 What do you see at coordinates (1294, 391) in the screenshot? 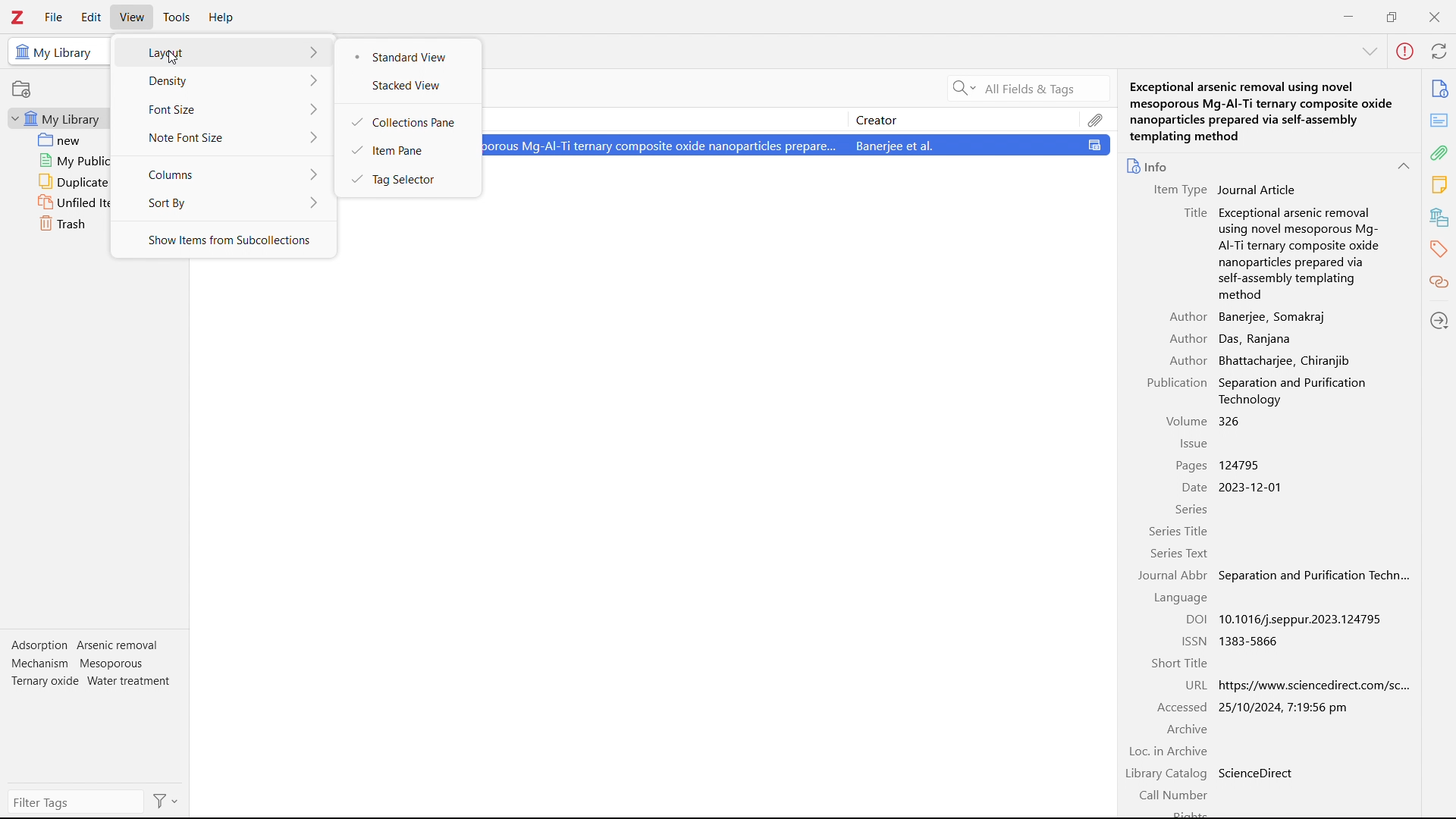
I see `Separation and Purification
Technology` at bounding box center [1294, 391].